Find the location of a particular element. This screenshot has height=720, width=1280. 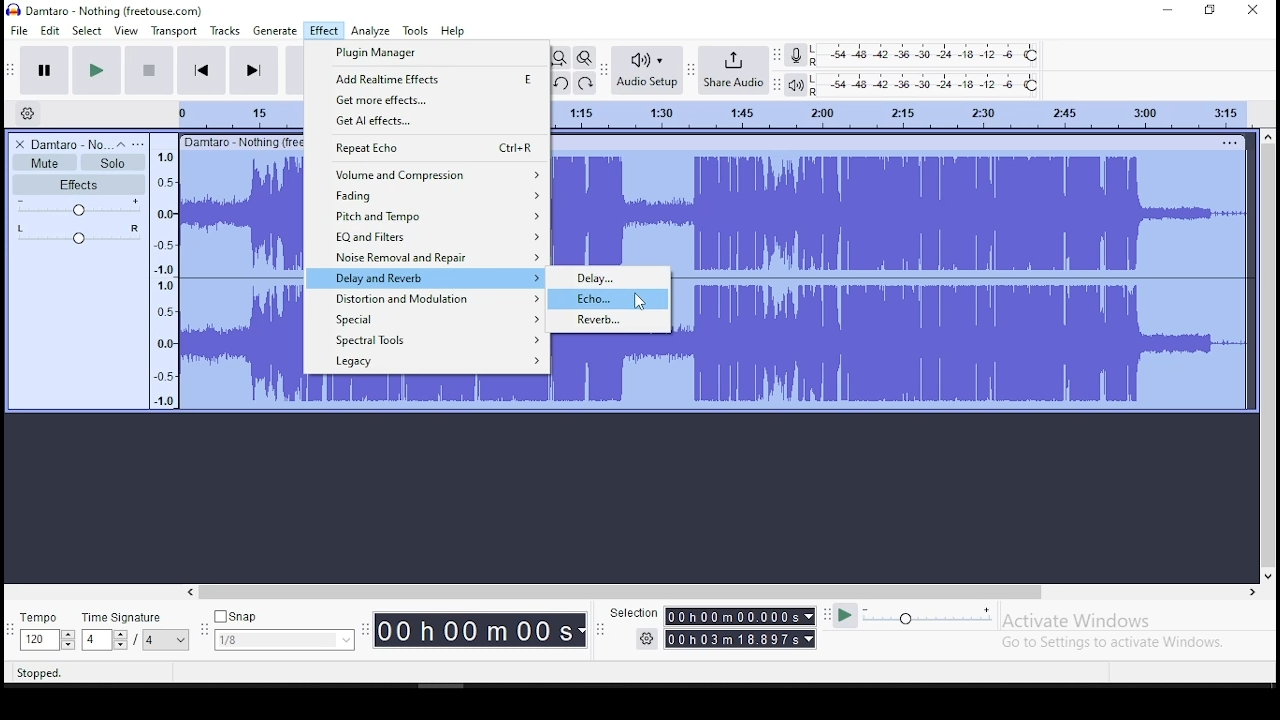

Activate Windows is located at coordinates (1077, 621).